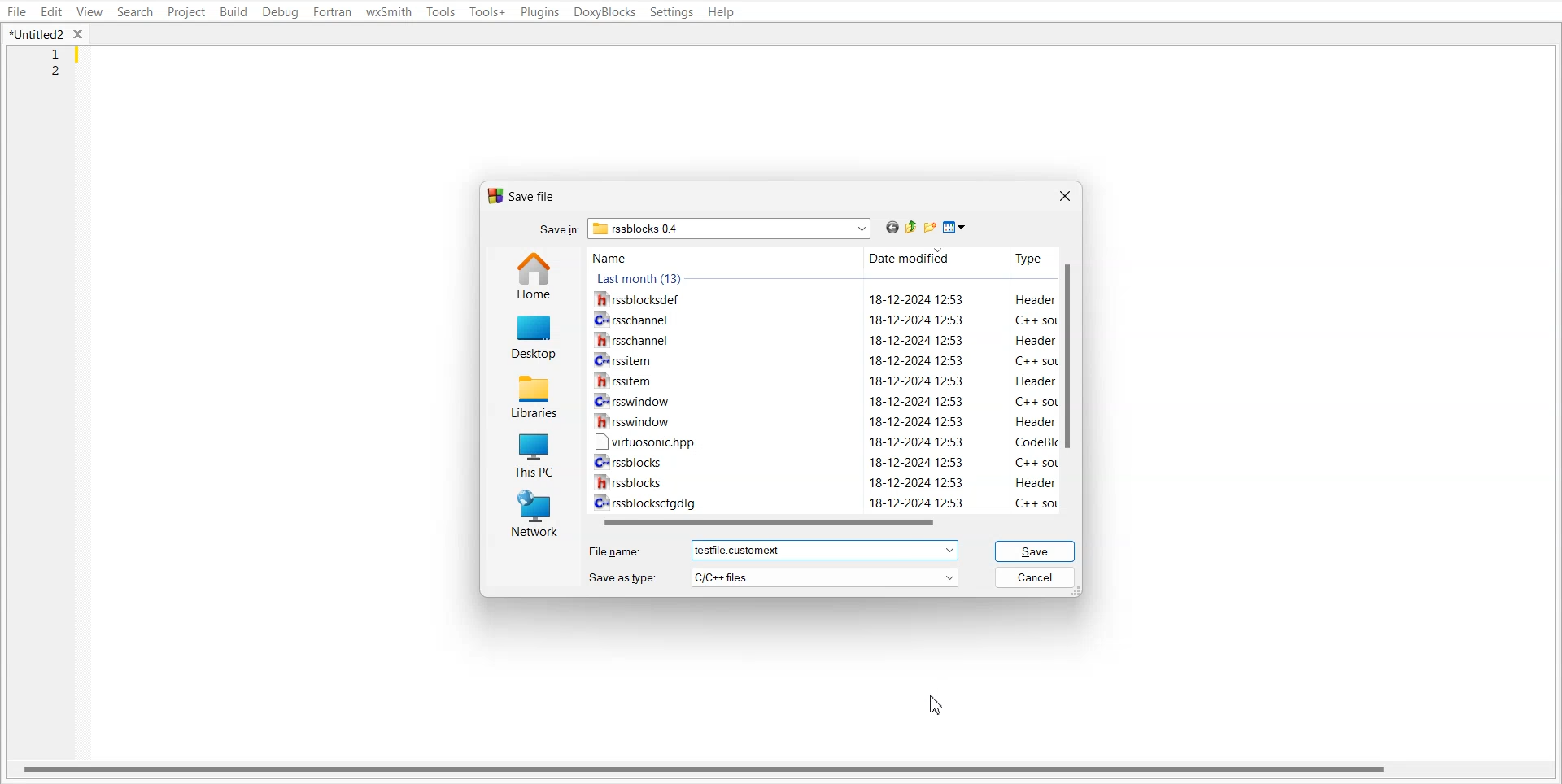  I want to click on This PC, so click(531, 455).